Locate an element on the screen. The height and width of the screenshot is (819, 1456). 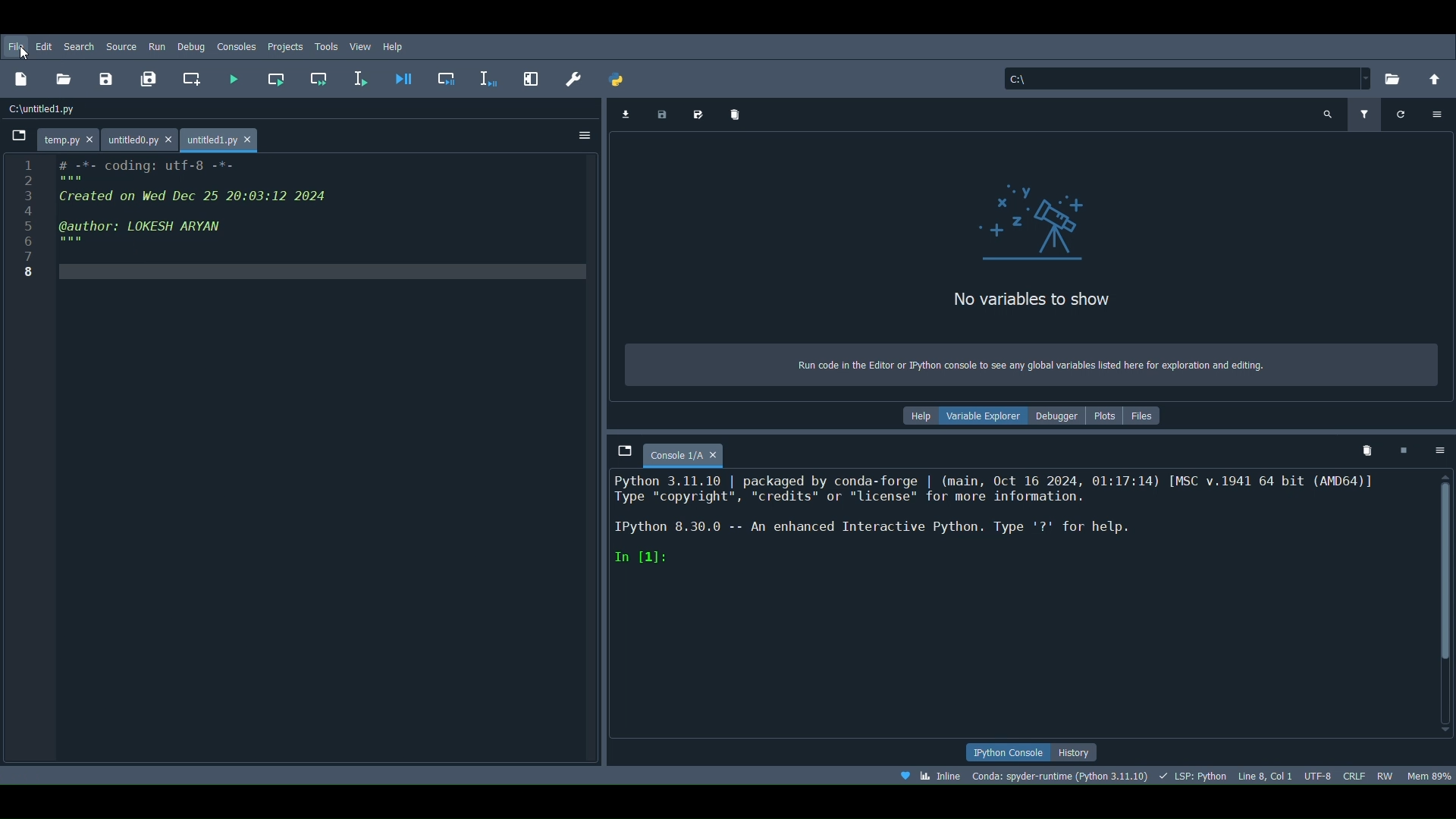
IPython console is located at coordinates (1001, 752).